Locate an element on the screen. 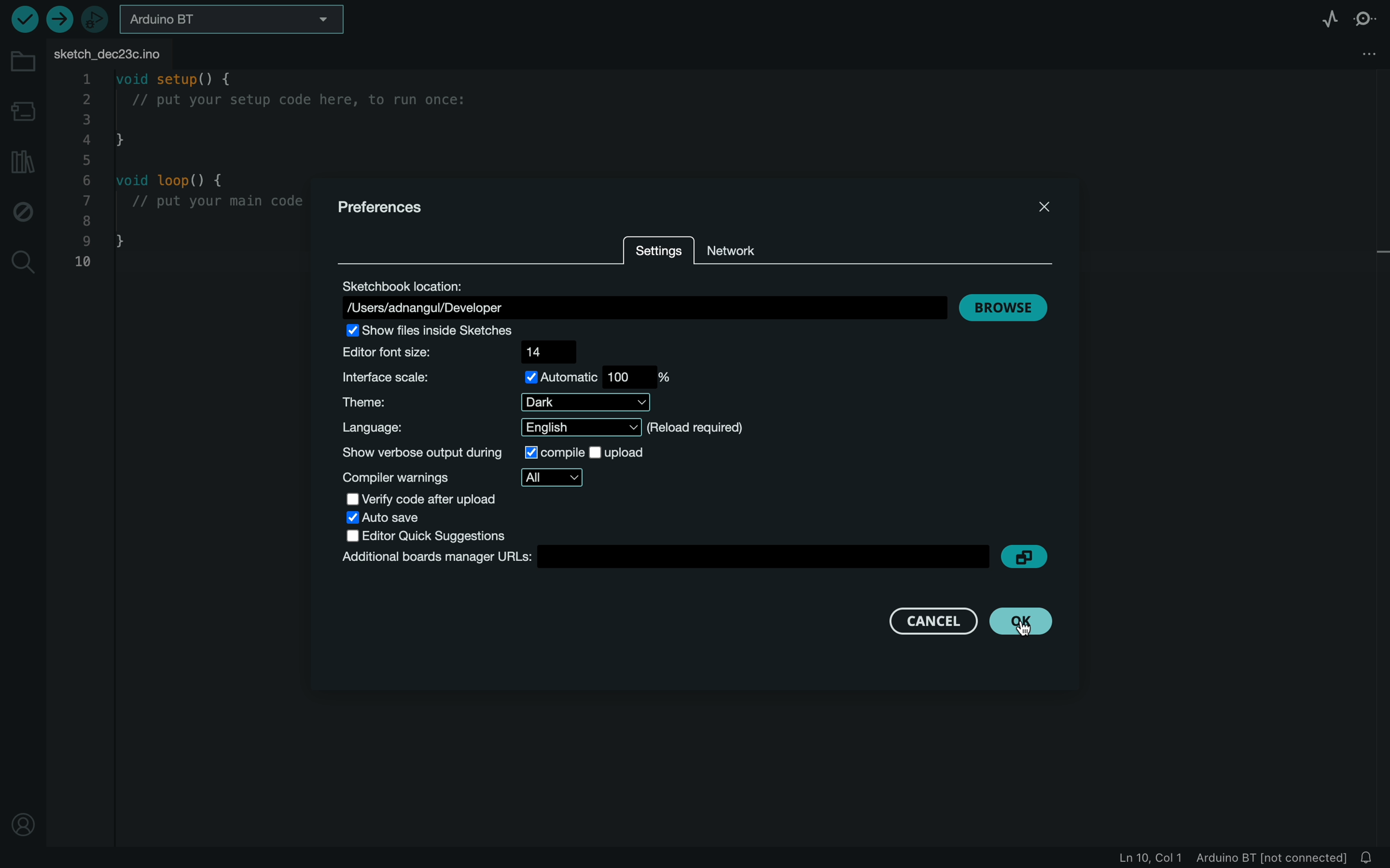  upload is located at coordinates (624, 453).